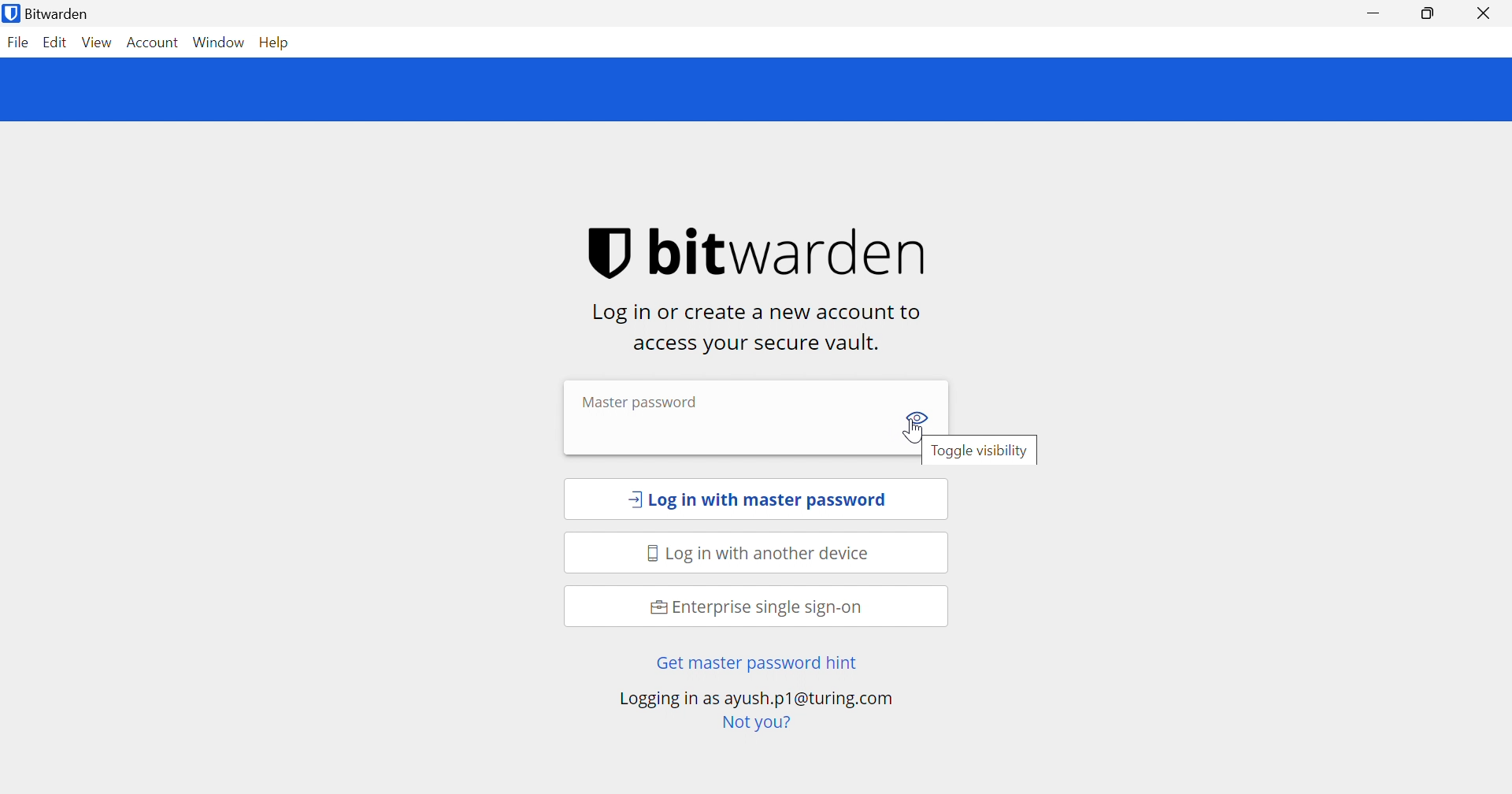 The image size is (1512, 794). What do you see at coordinates (762, 555) in the screenshot?
I see `Log in with another device` at bounding box center [762, 555].